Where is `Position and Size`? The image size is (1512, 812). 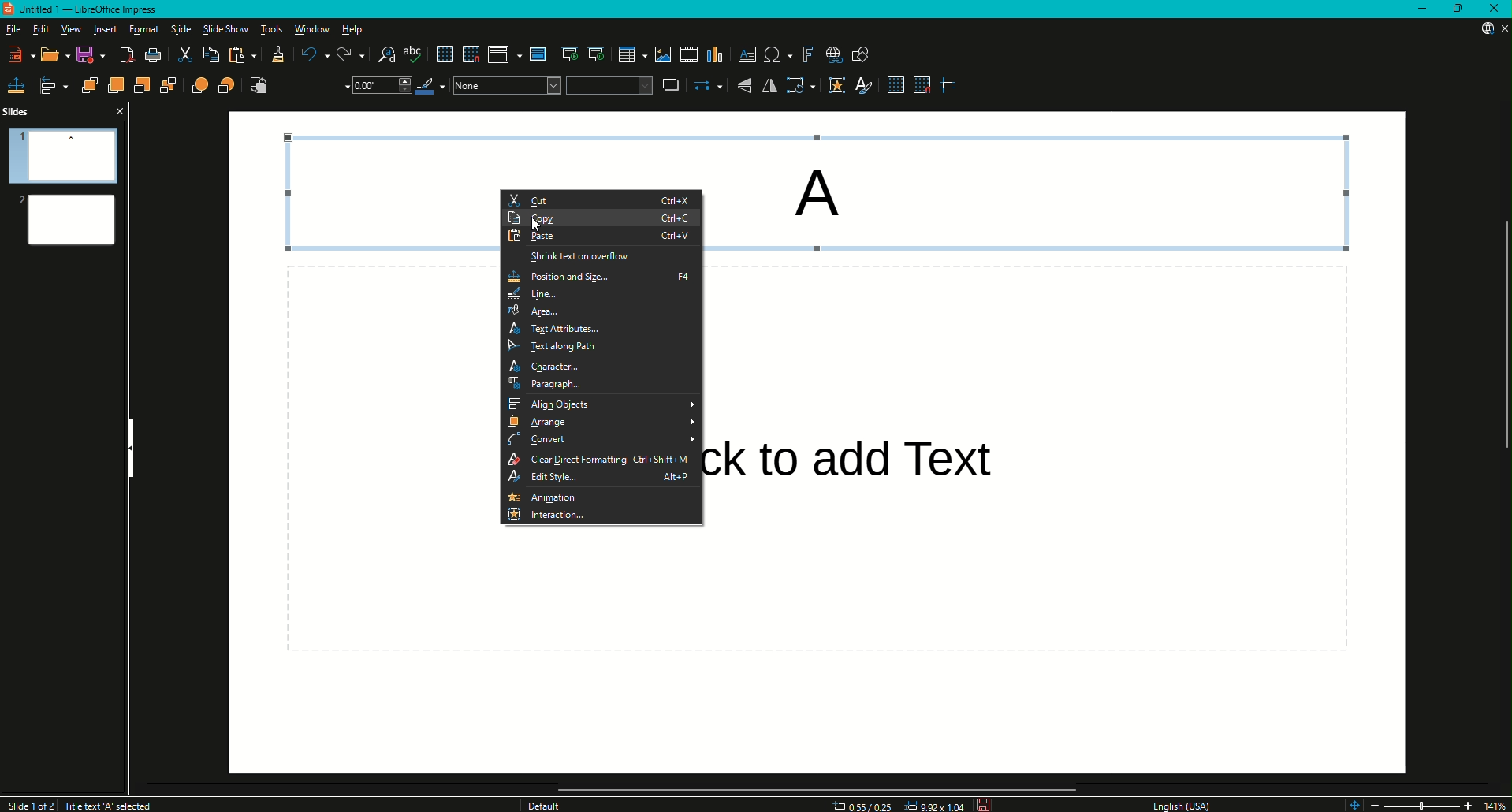
Position and Size is located at coordinates (603, 277).